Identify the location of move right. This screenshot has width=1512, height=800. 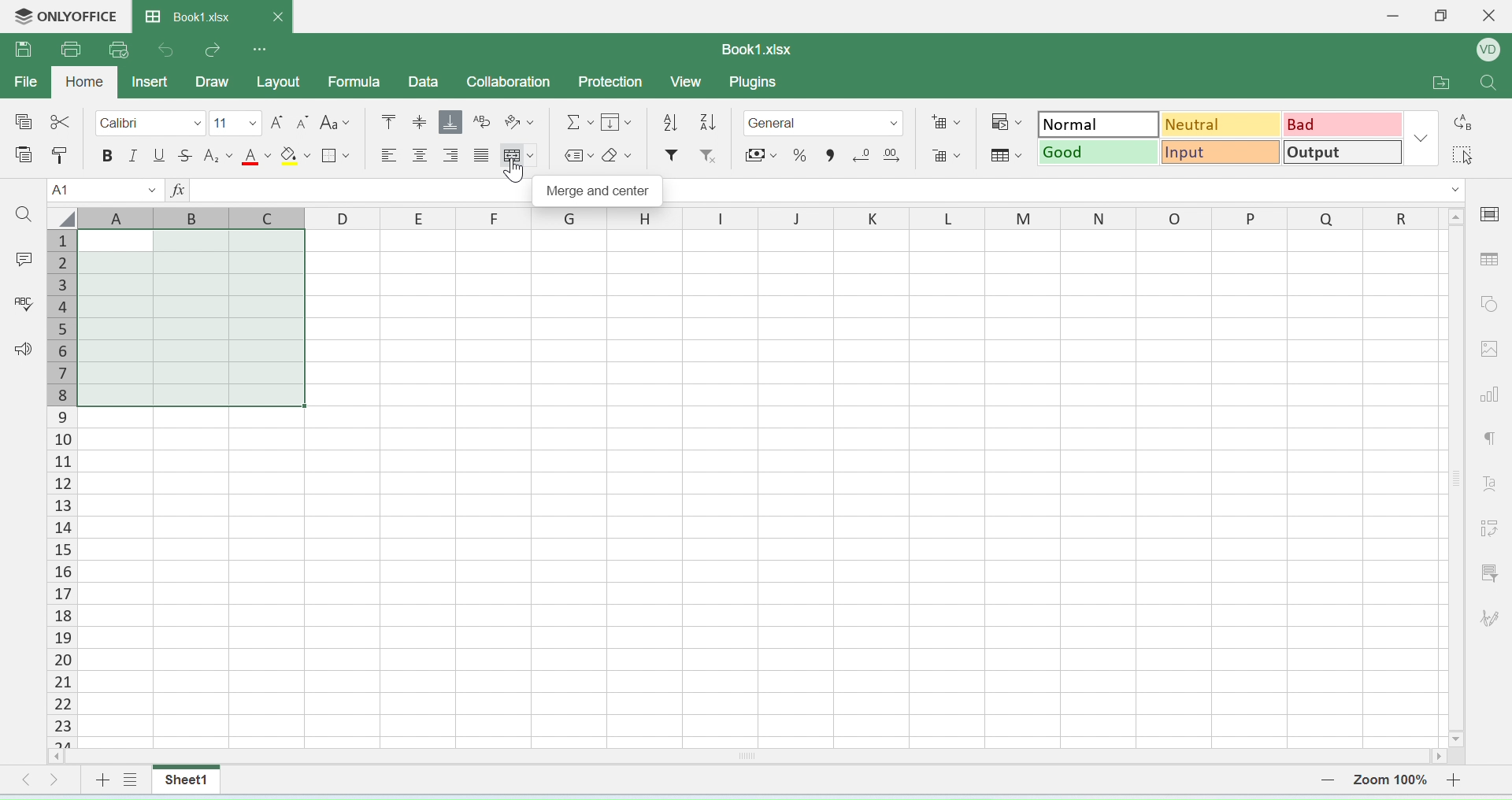
(55, 782).